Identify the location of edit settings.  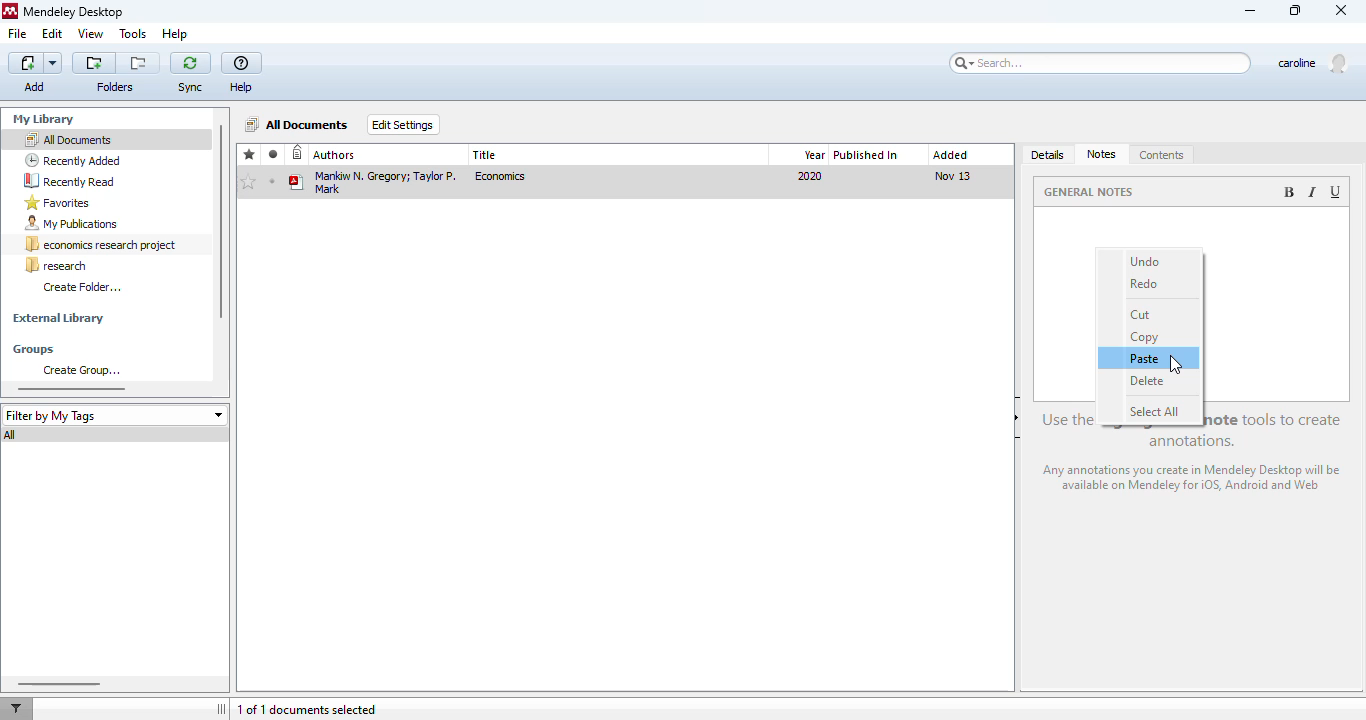
(404, 124).